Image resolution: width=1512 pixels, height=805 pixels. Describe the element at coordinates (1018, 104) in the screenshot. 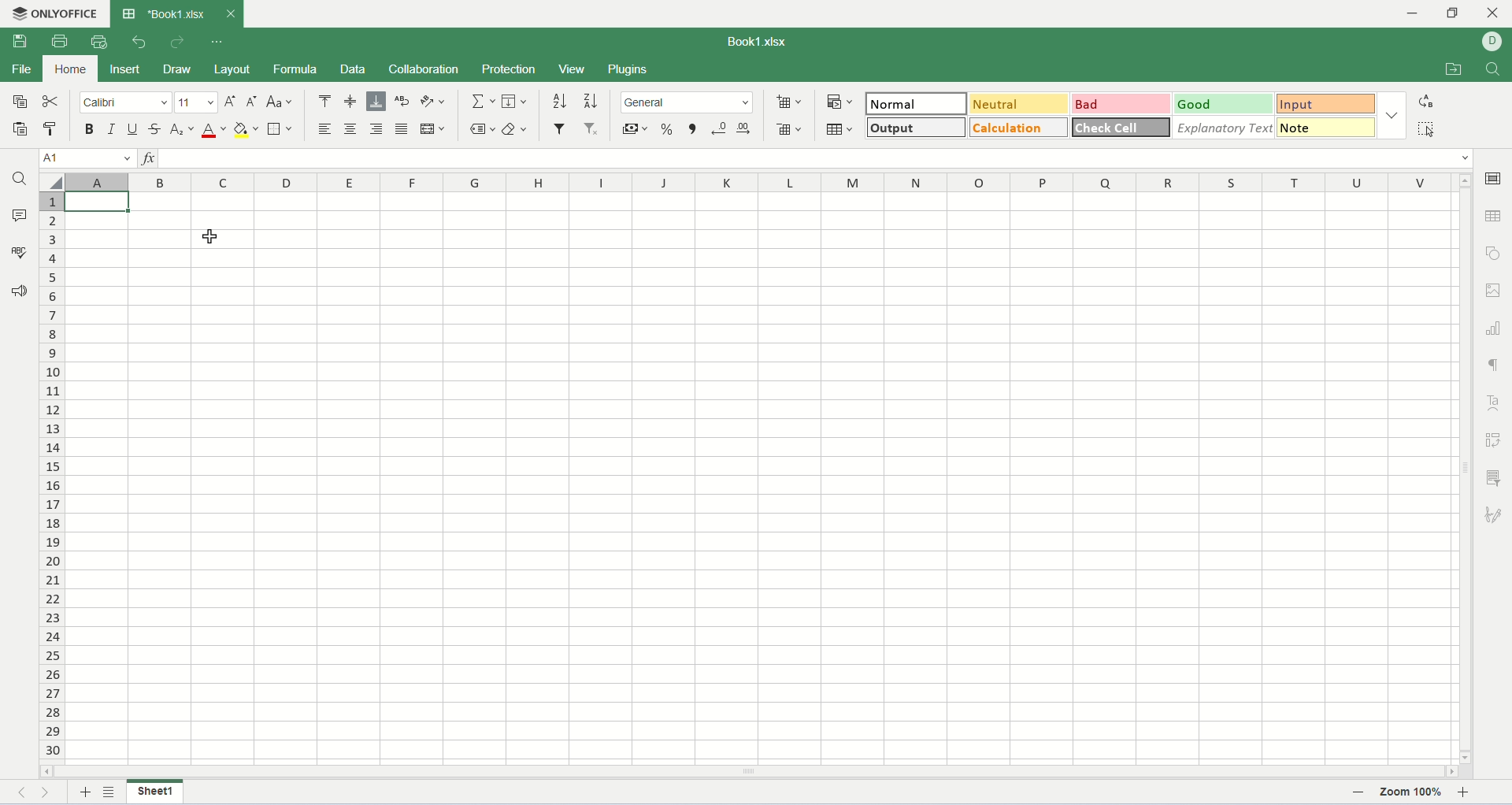

I see `neutral` at that location.